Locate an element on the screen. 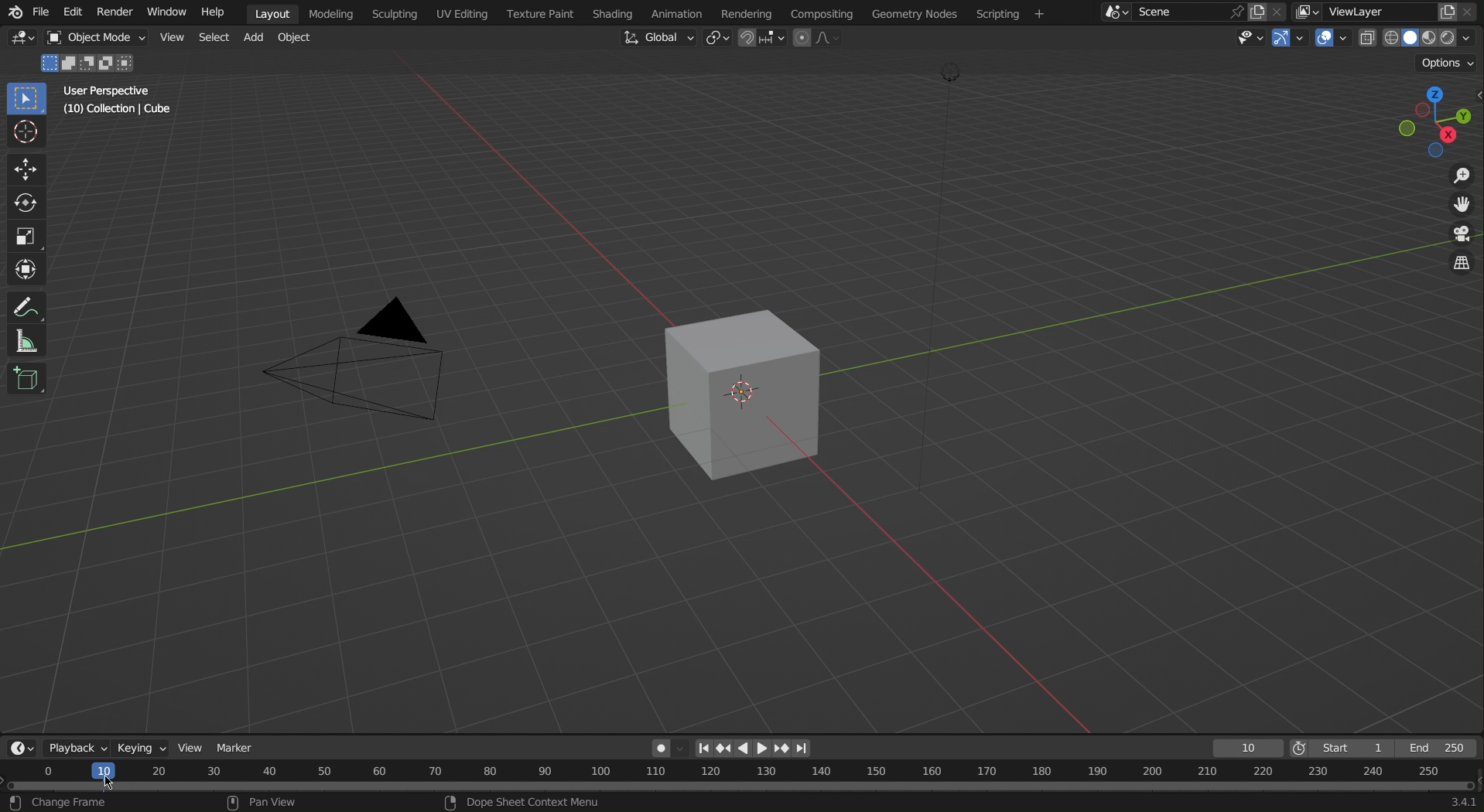 The image size is (1484, 812). Compositing is located at coordinates (822, 14).